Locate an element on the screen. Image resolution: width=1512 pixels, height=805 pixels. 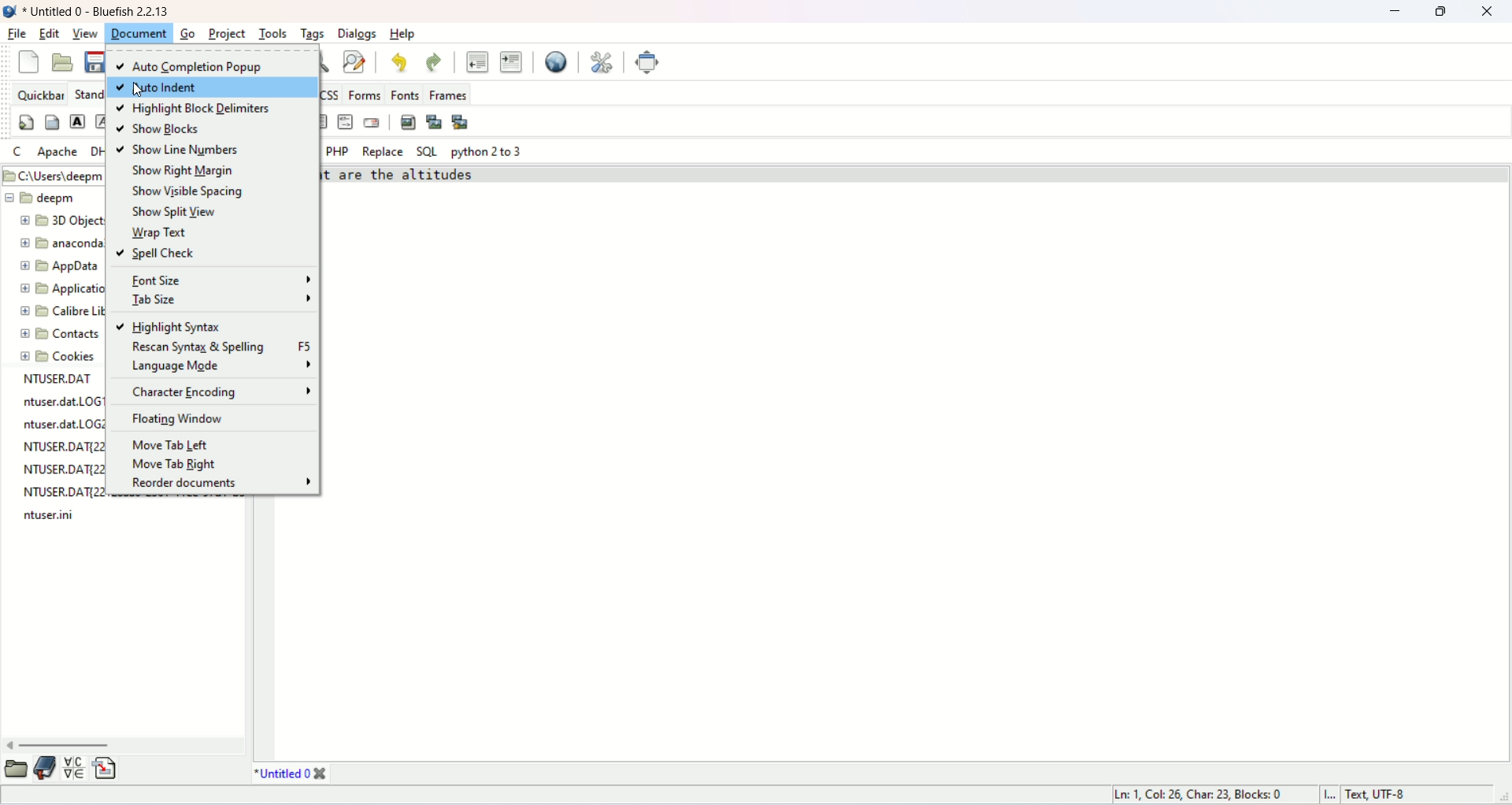
insert special character is located at coordinates (74, 766).